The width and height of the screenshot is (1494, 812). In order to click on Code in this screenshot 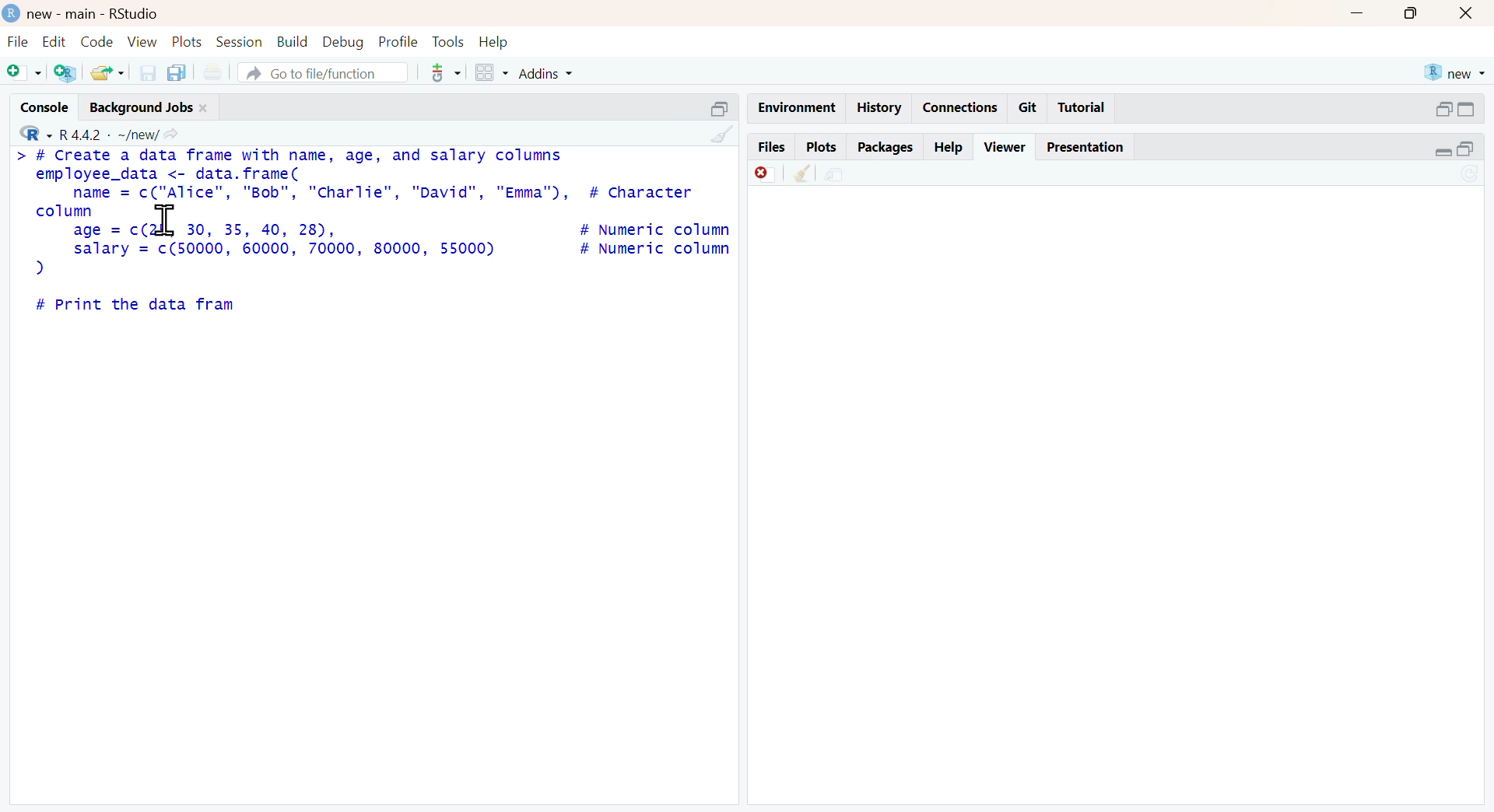, I will do `click(96, 40)`.